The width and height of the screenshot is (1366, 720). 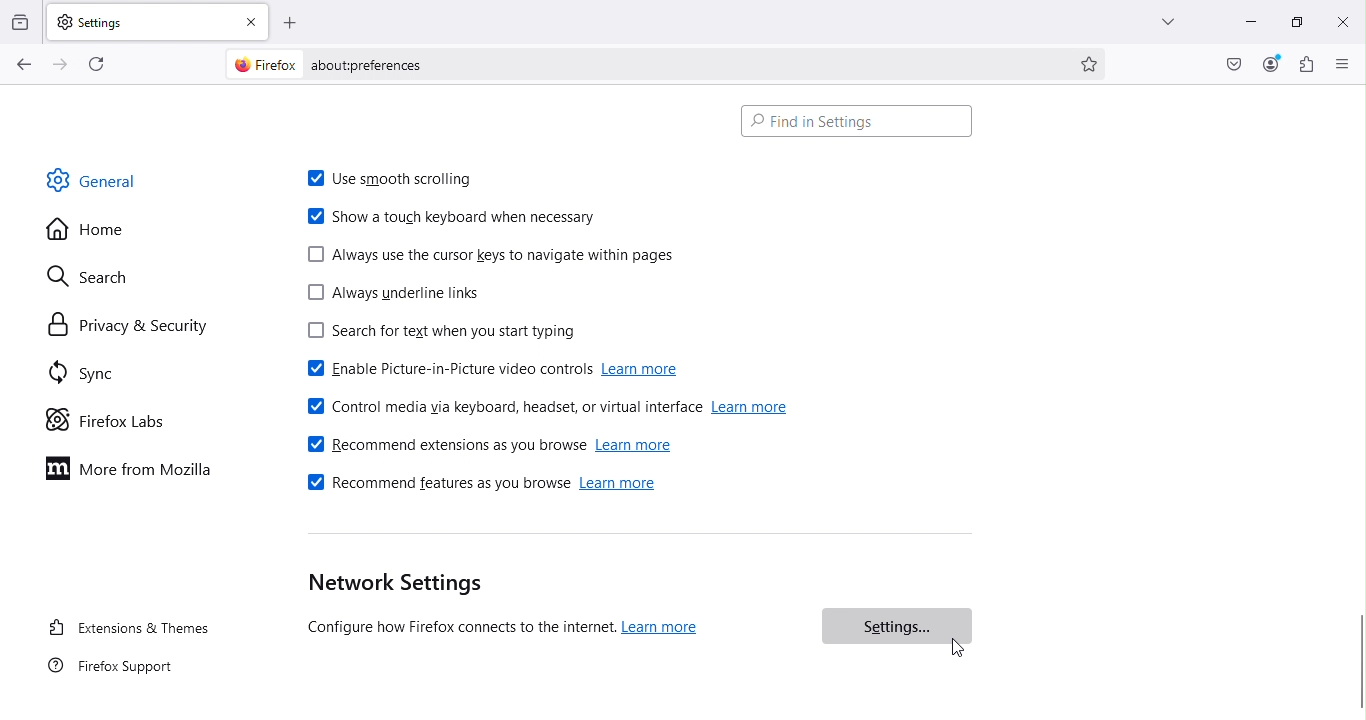 I want to click on Bookmark this page, so click(x=1093, y=66).